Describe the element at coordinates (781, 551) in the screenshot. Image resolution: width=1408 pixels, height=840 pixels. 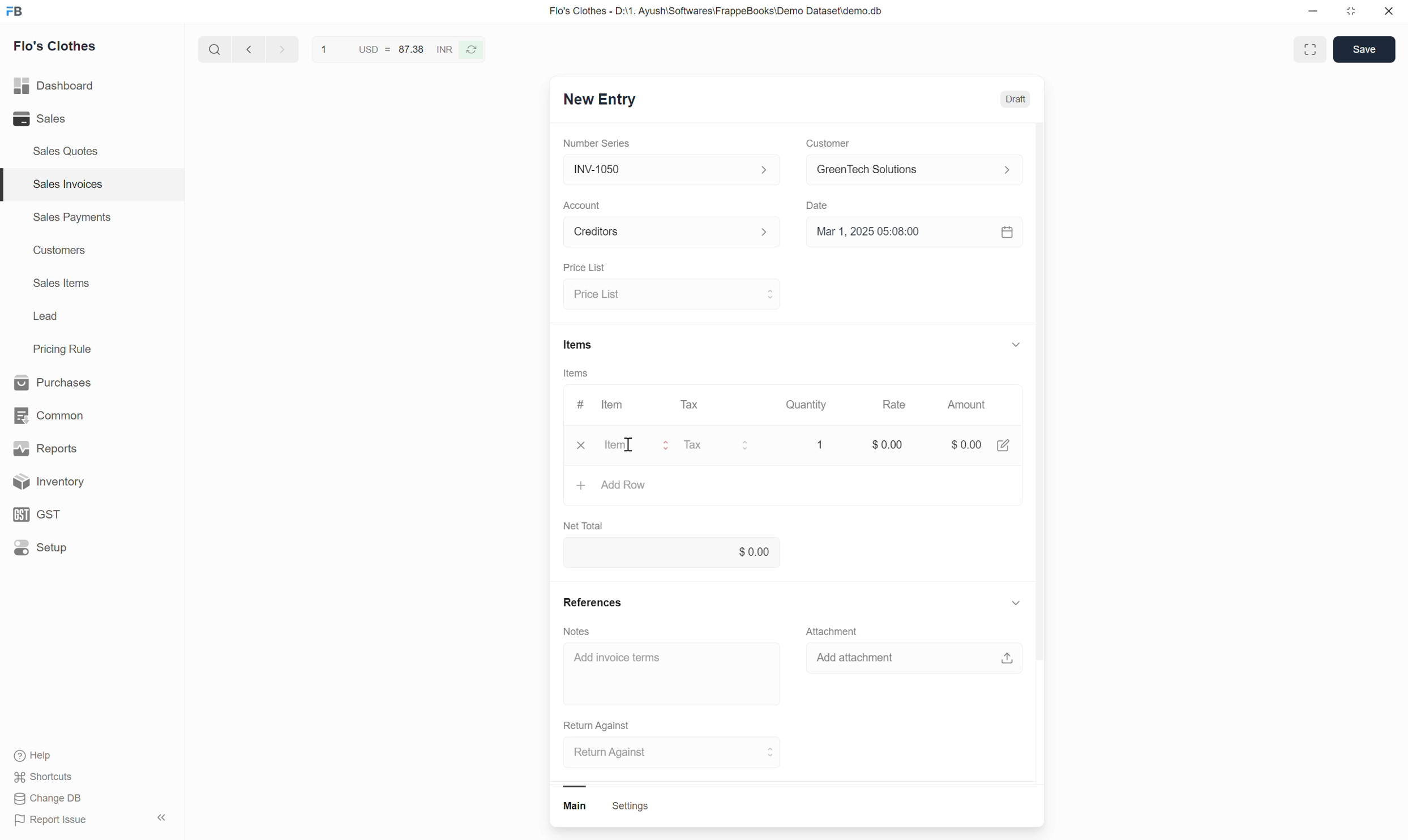
I see `net total input box` at that location.